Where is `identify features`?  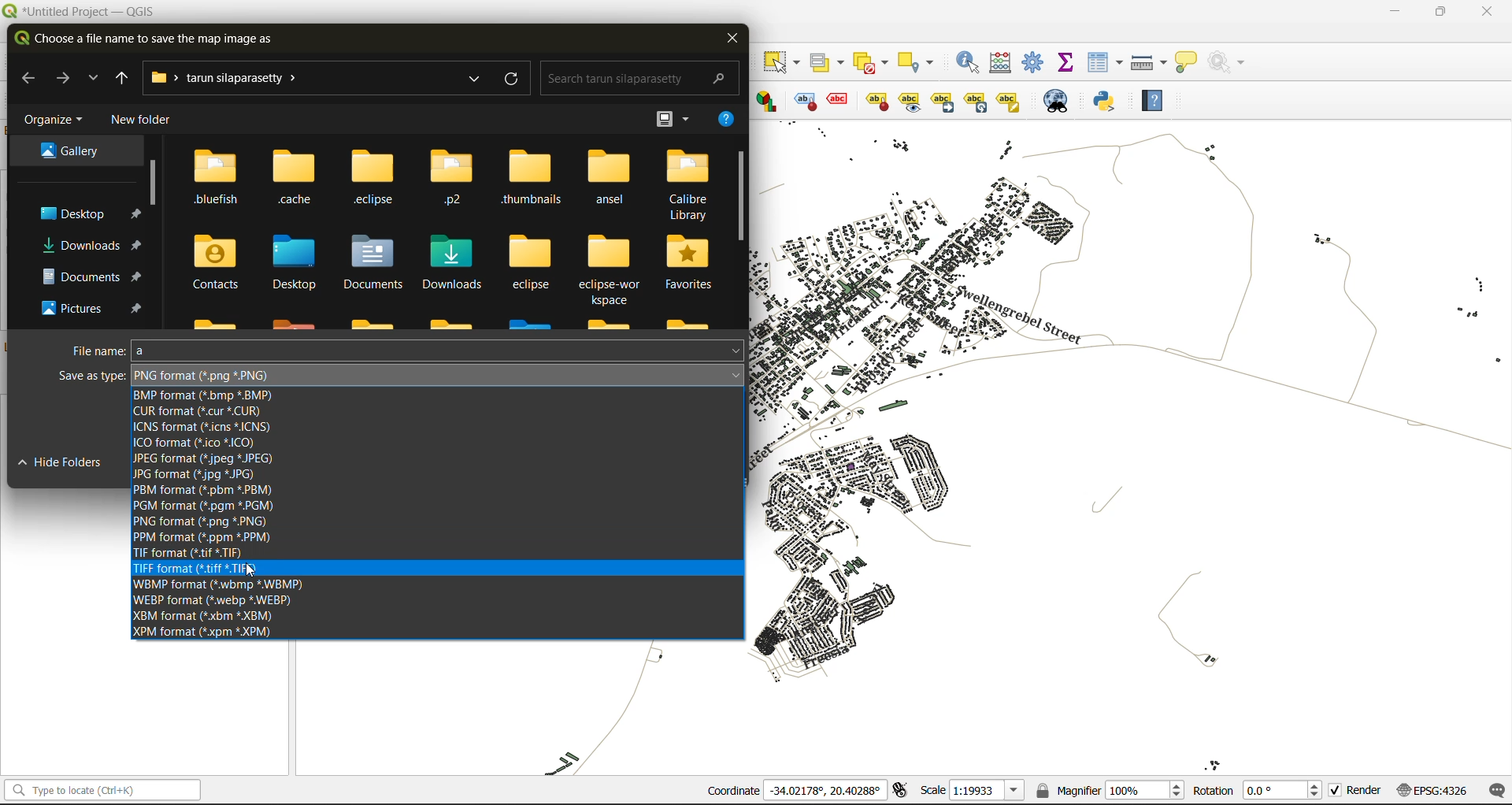 identify features is located at coordinates (969, 61).